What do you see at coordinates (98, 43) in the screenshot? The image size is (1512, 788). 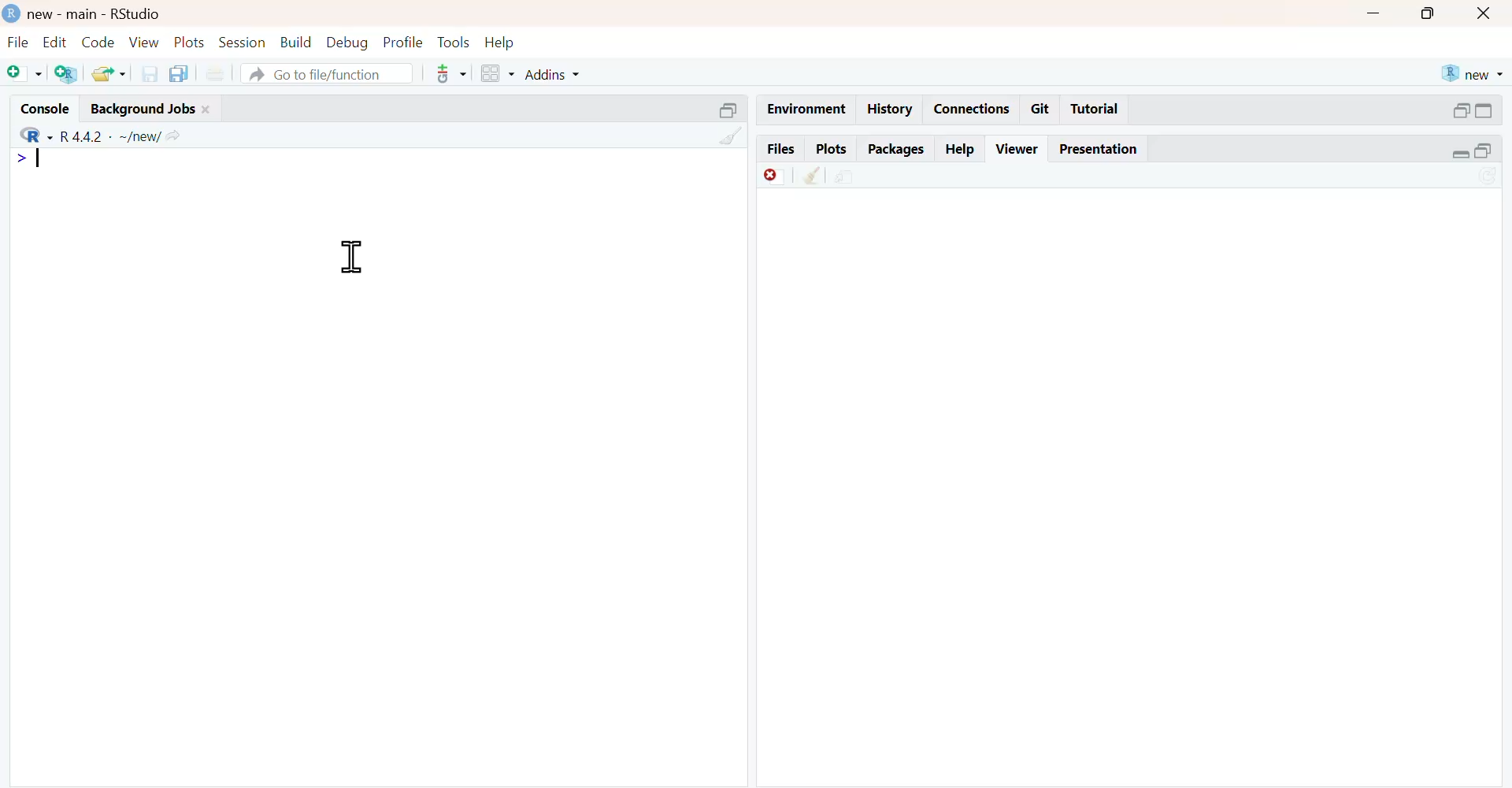 I see `code` at bounding box center [98, 43].